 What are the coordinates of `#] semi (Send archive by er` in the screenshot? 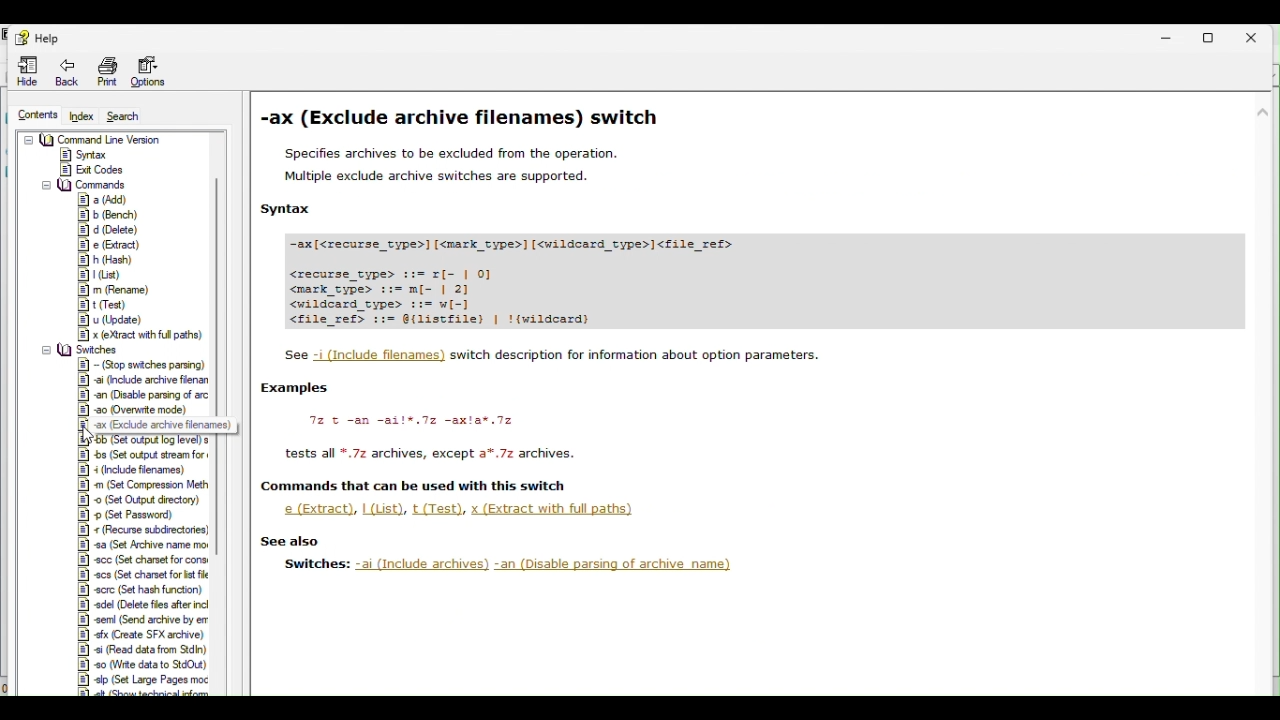 It's located at (144, 620).